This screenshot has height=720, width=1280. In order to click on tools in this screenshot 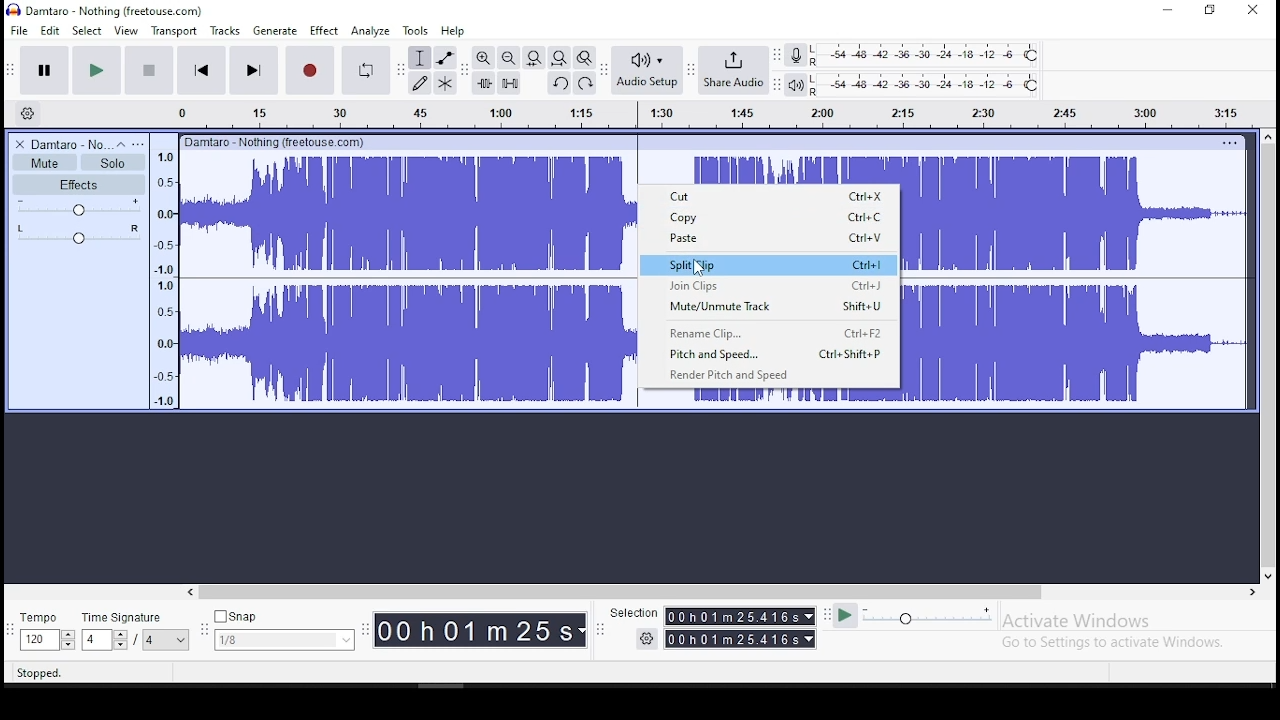, I will do `click(416, 32)`.